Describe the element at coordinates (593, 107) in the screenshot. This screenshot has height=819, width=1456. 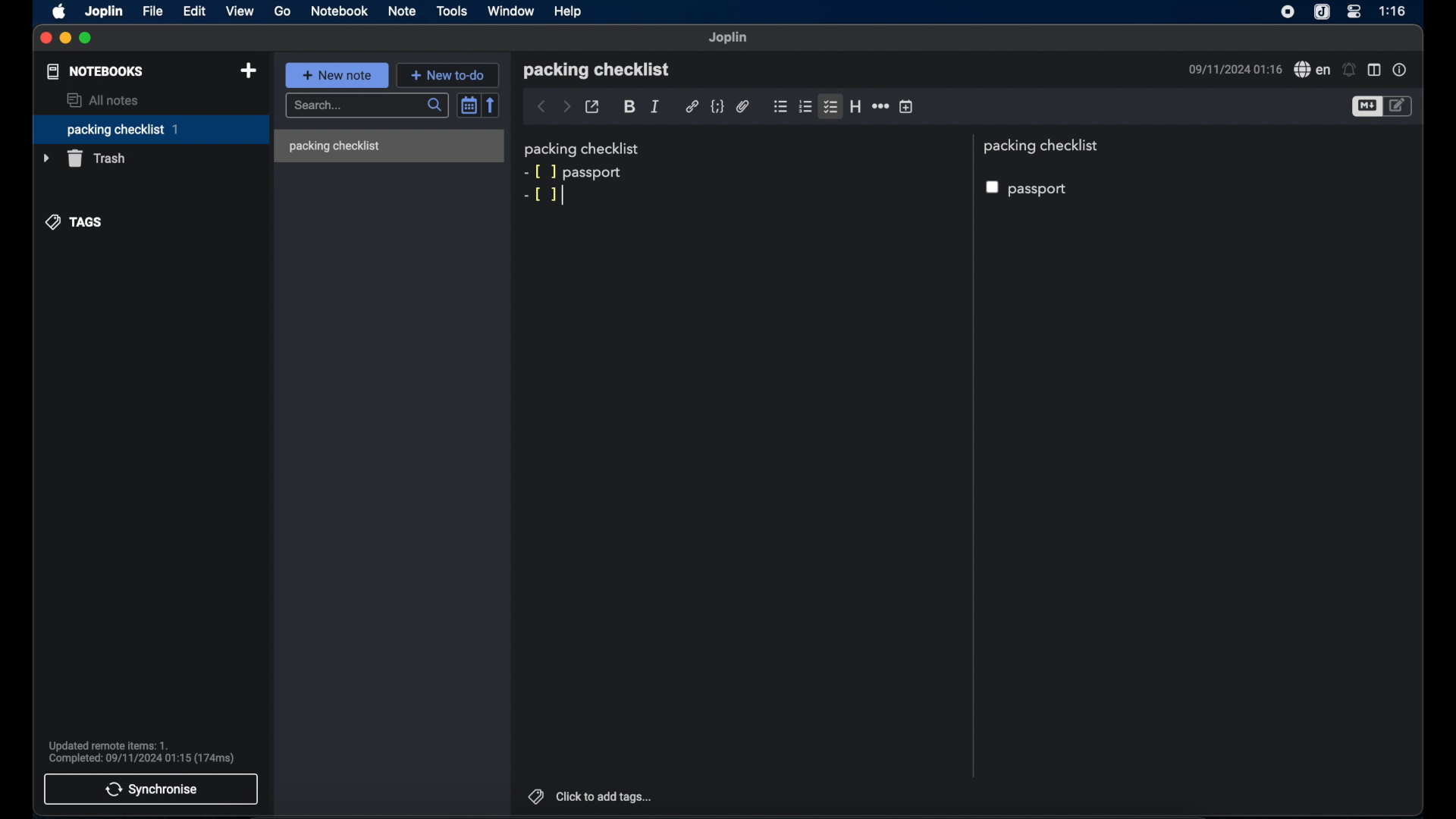
I see `toggle external editing` at that location.